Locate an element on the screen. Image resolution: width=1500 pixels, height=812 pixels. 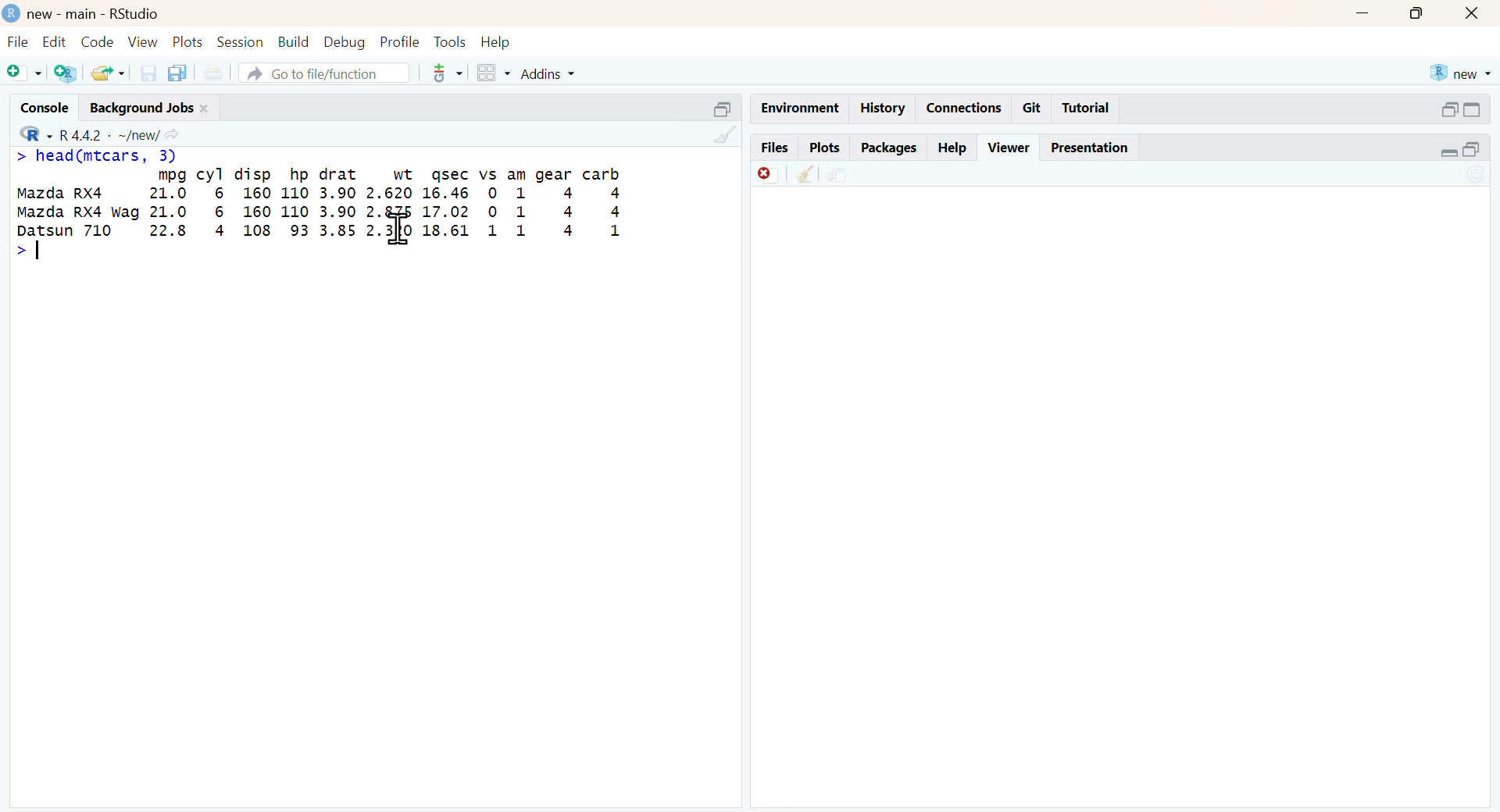
Show in new window is located at coordinates (837, 173).